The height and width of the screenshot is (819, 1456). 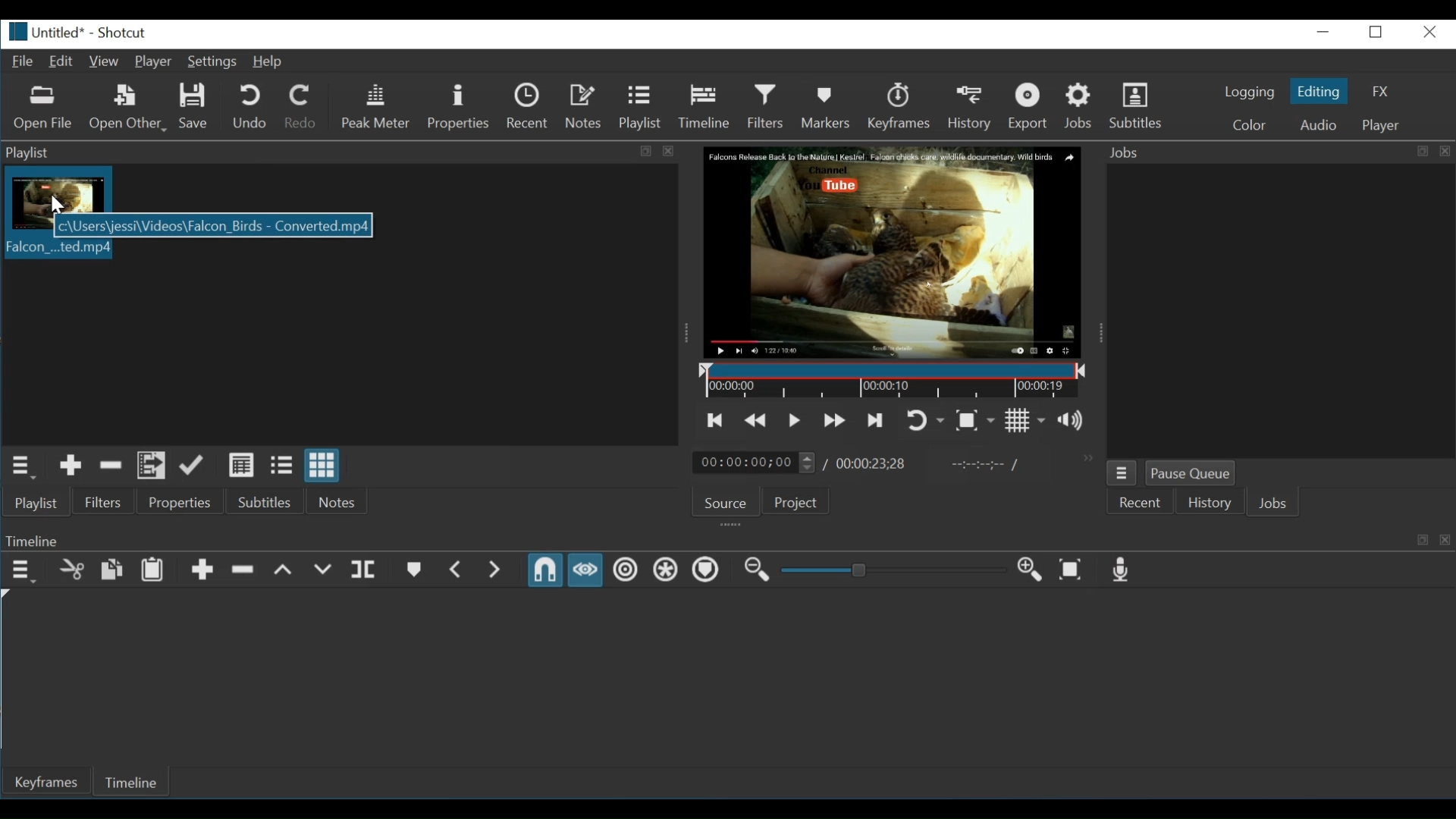 I want to click on Zoom keyframe in, so click(x=1027, y=568).